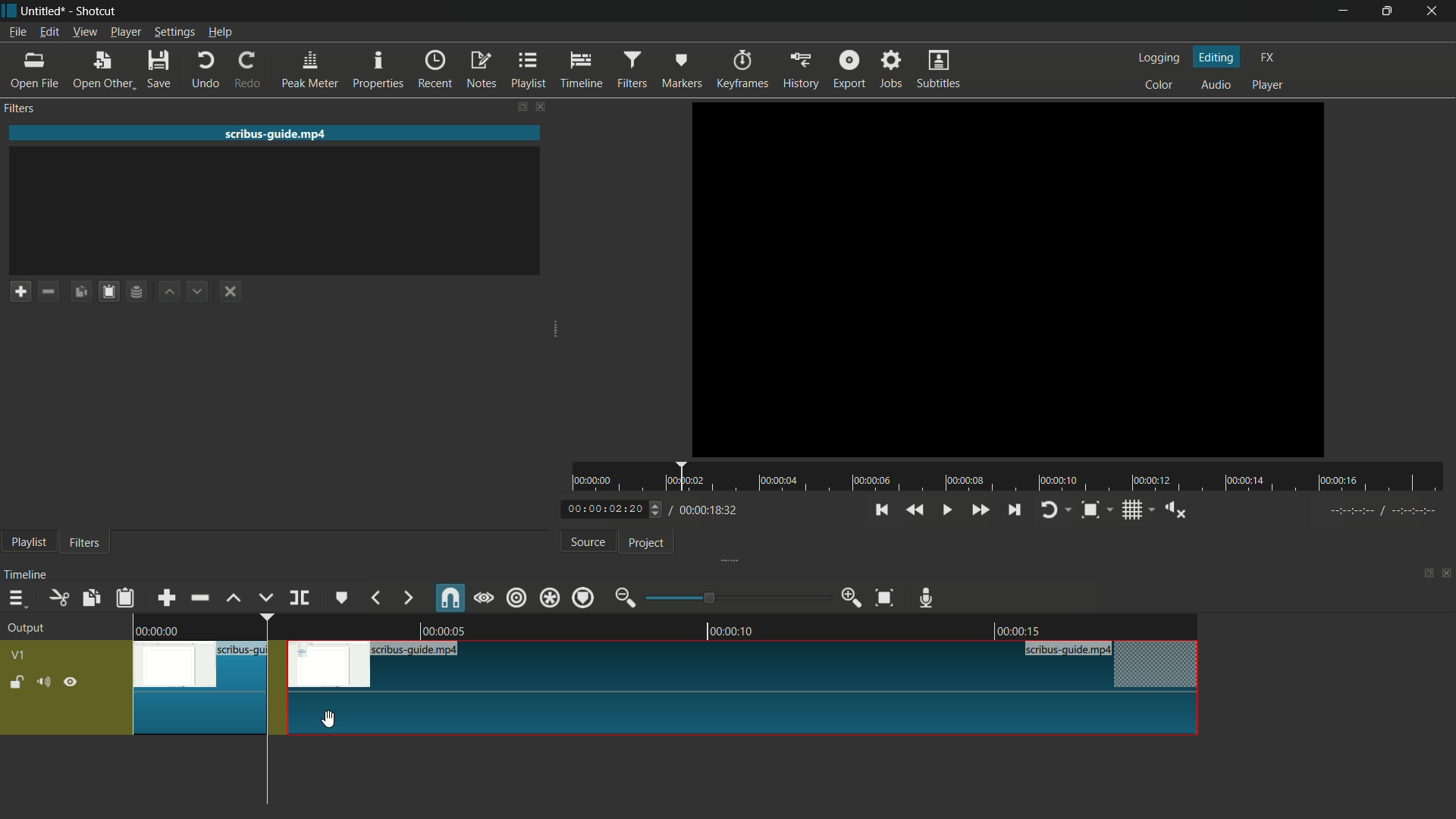 Image resolution: width=1456 pixels, height=819 pixels. Describe the element at coordinates (436, 70) in the screenshot. I see `recent` at that location.